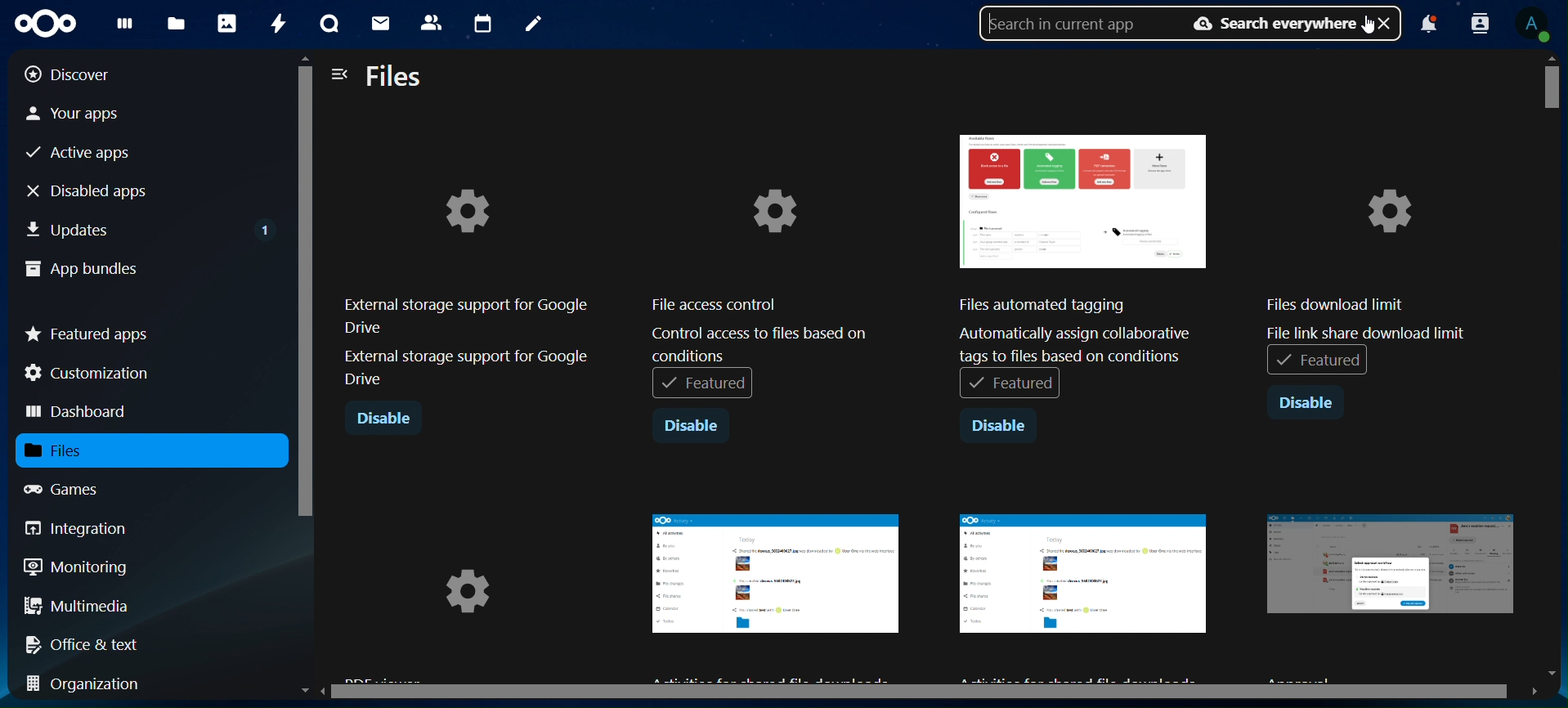 The width and height of the screenshot is (1568, 708). I want to click on search everywhere, so click(1270, 25).